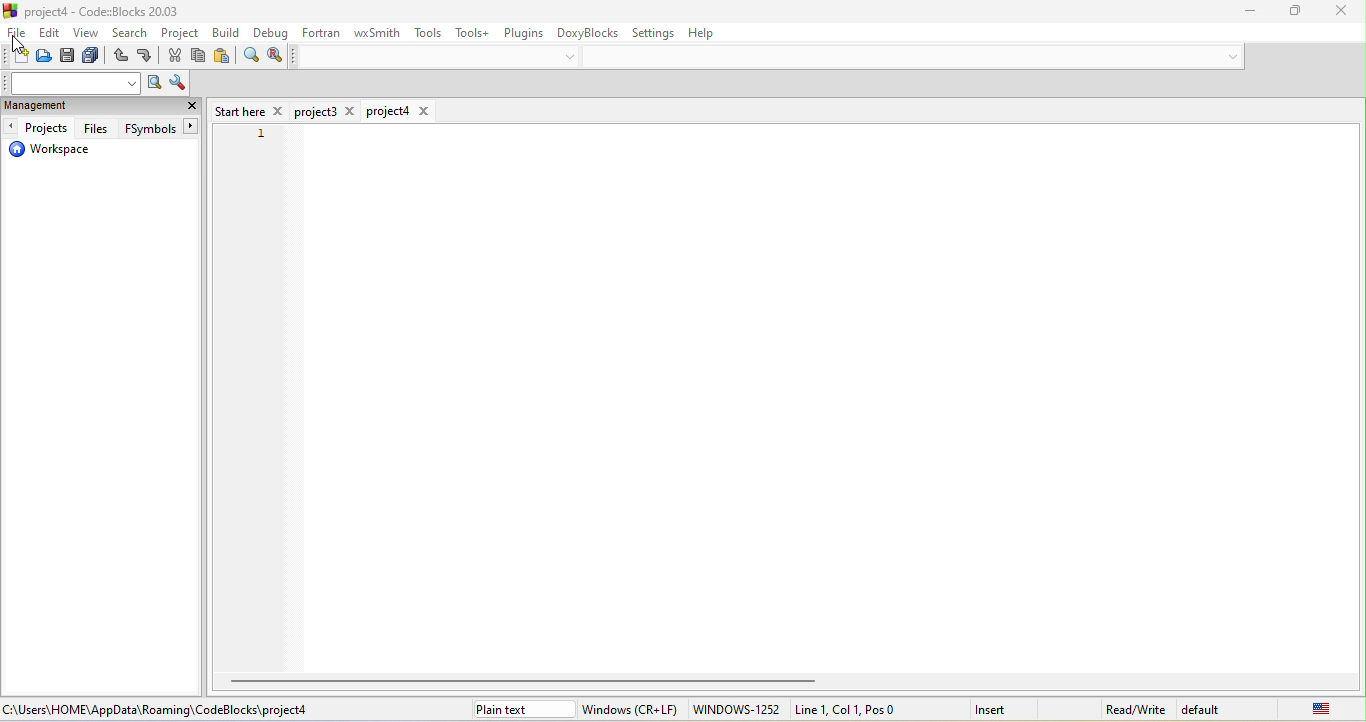 The height and width of the screenshot is (722, 1366). I want to click on close, so click(192, 108).